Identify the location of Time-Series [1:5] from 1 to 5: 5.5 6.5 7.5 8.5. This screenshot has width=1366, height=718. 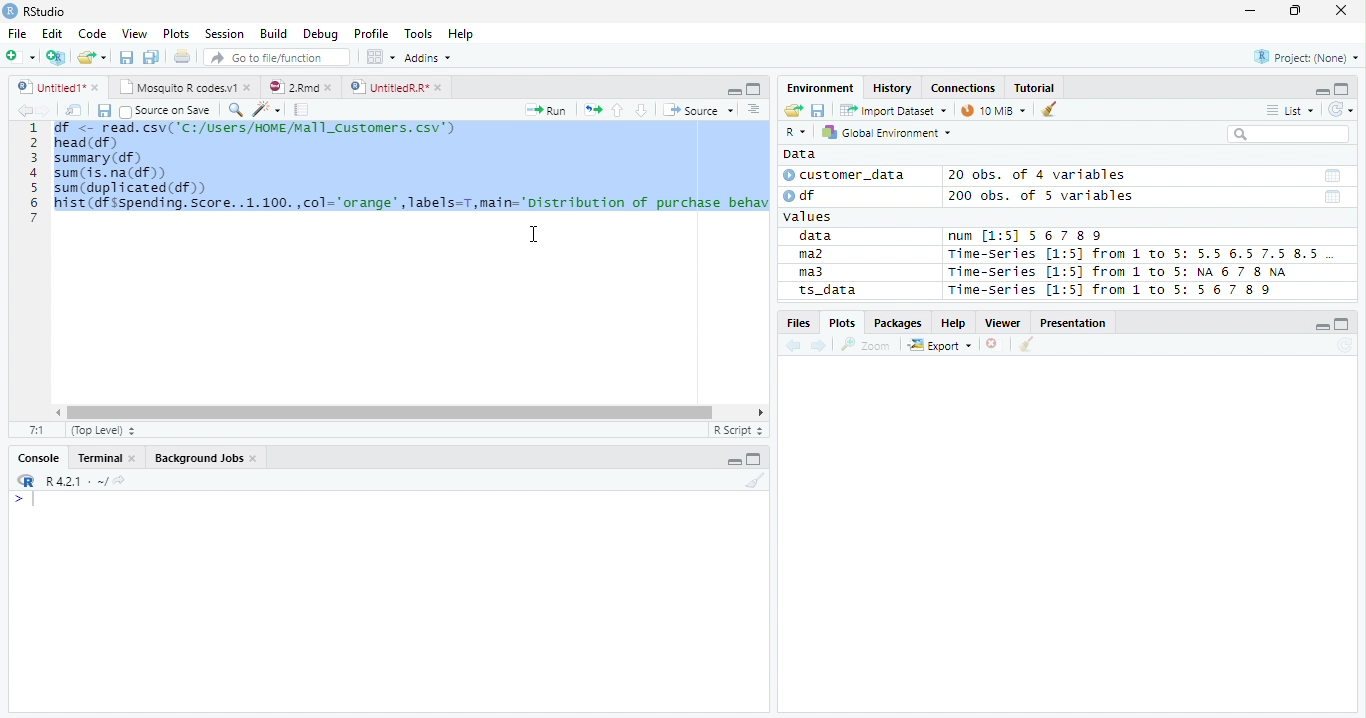
(1137, 255).